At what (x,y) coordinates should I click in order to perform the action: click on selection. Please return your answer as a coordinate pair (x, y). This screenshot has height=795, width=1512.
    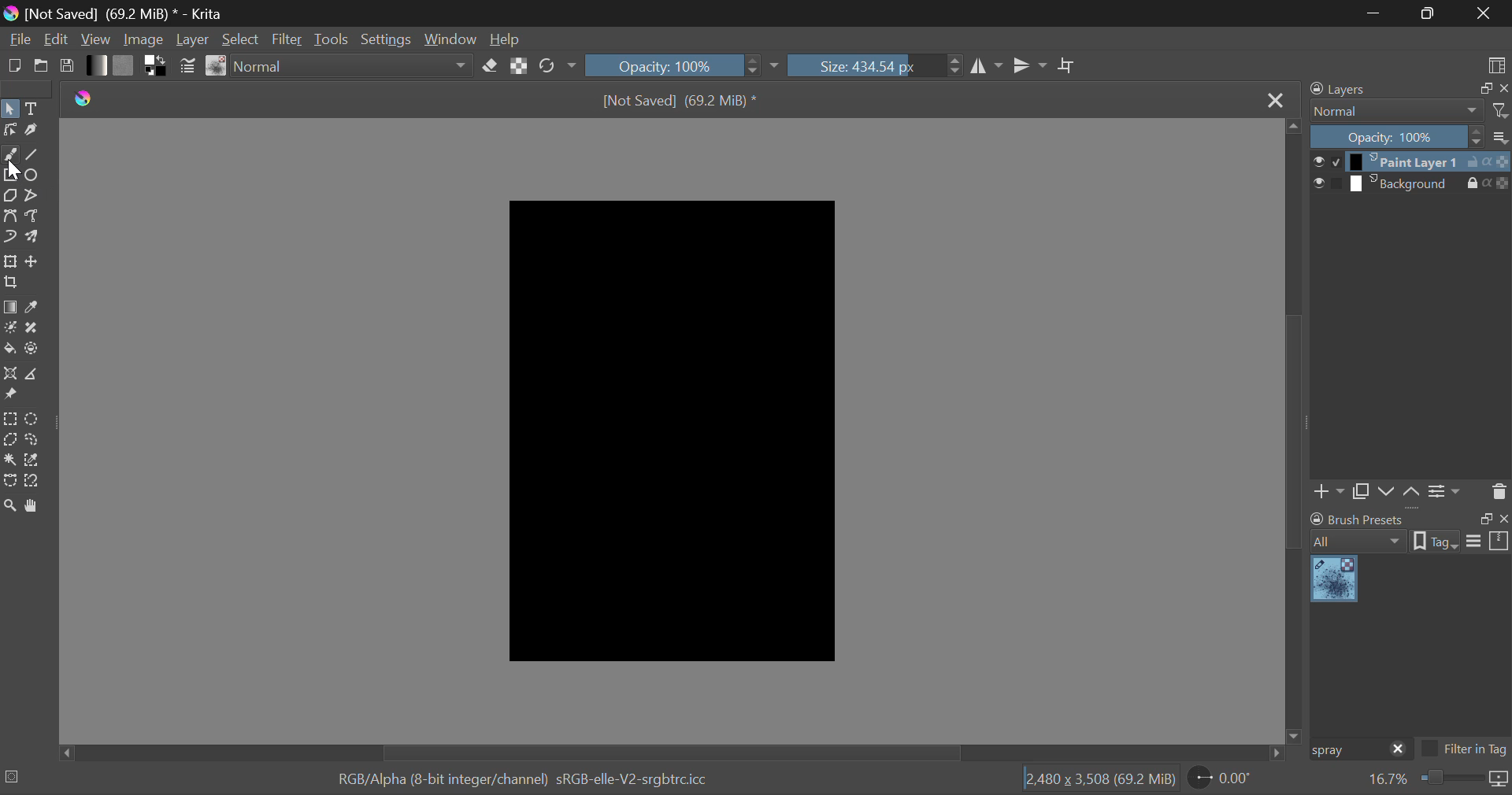
    Looking at the image, I should click on (13, 776).